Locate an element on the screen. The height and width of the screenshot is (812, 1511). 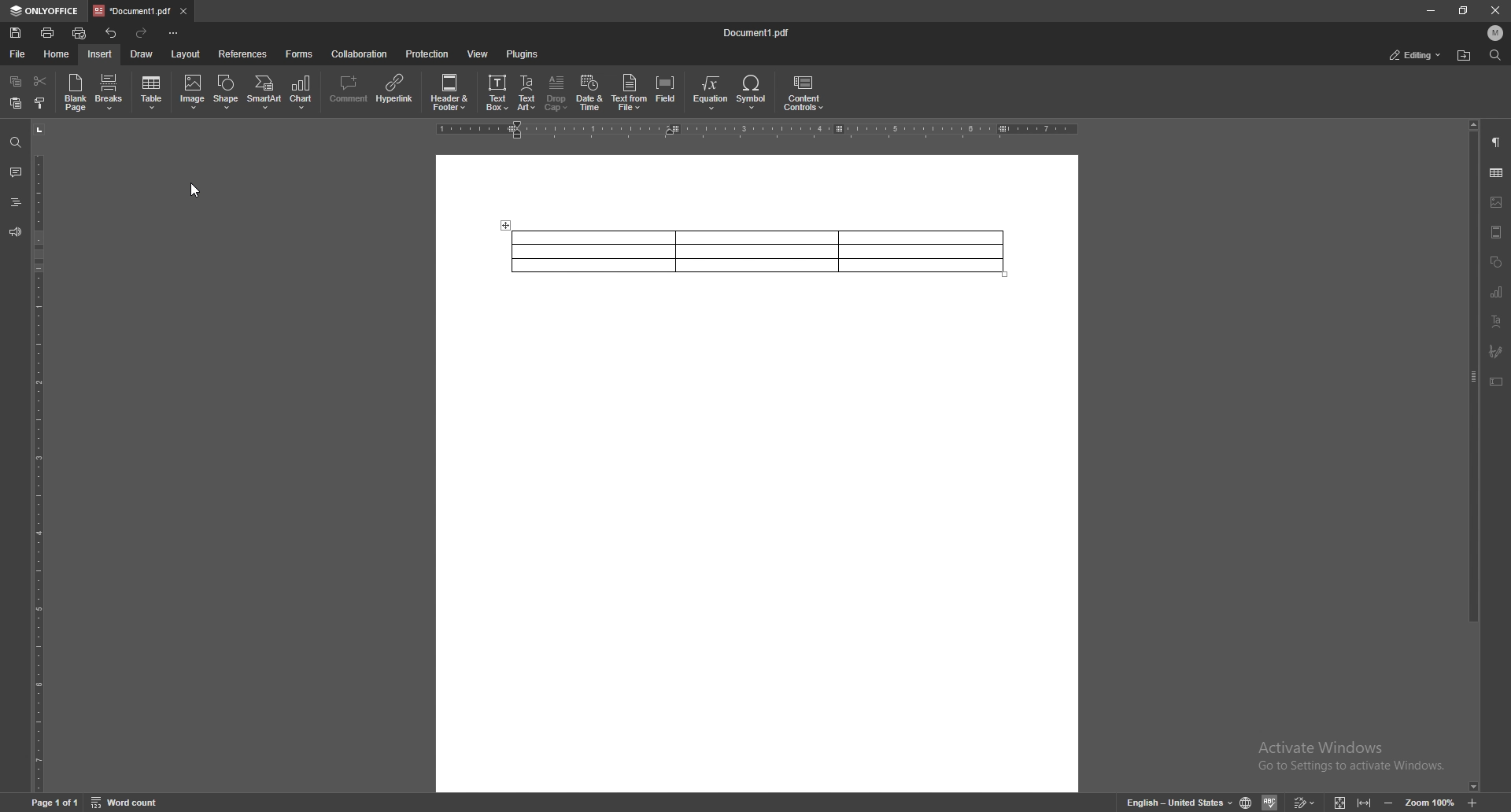
protection is located at coordinates (430, 54).